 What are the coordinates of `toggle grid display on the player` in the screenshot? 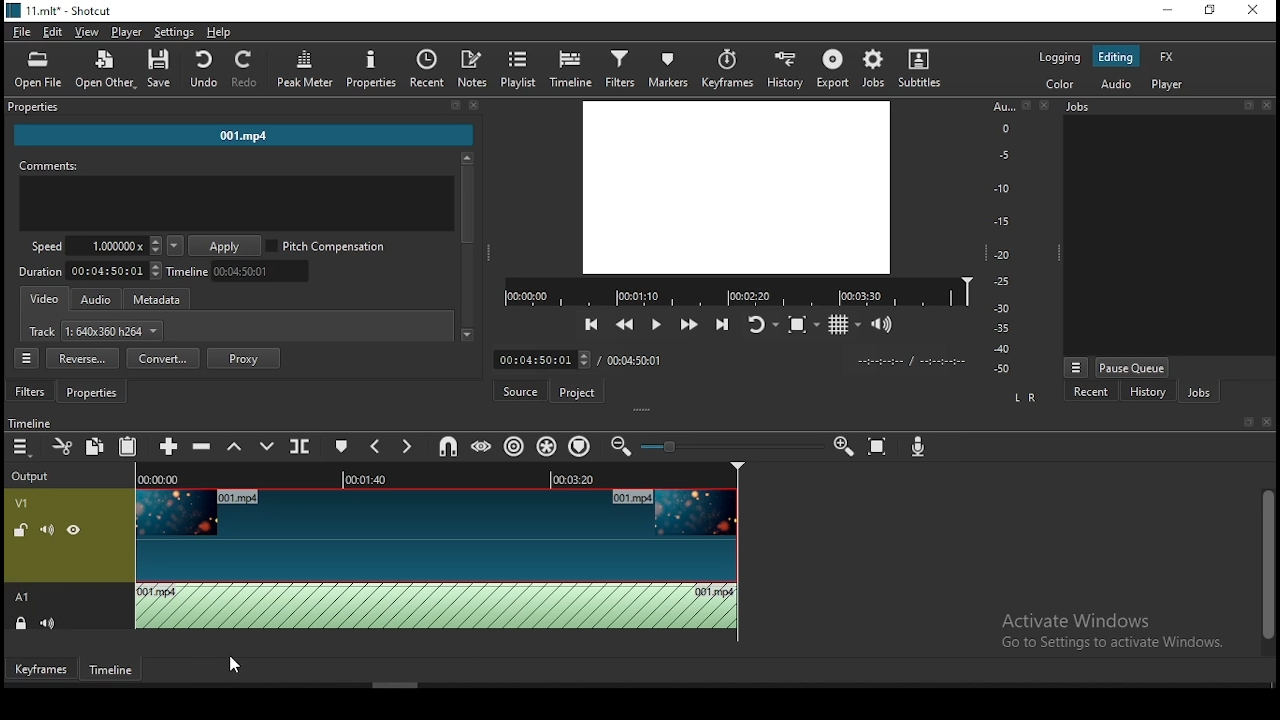 It's located at (847, 325).